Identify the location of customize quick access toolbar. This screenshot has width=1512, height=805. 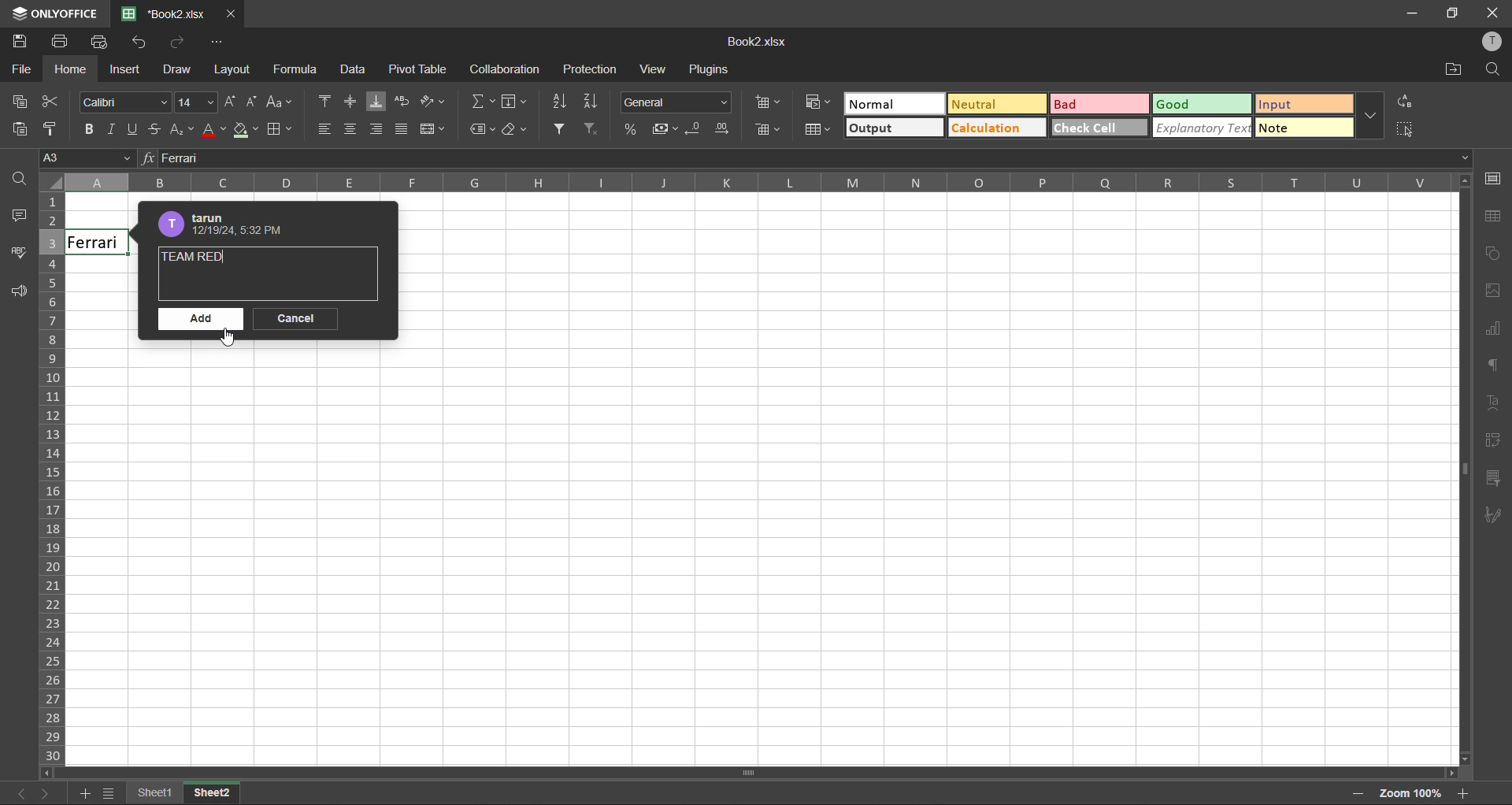
(224, 42).